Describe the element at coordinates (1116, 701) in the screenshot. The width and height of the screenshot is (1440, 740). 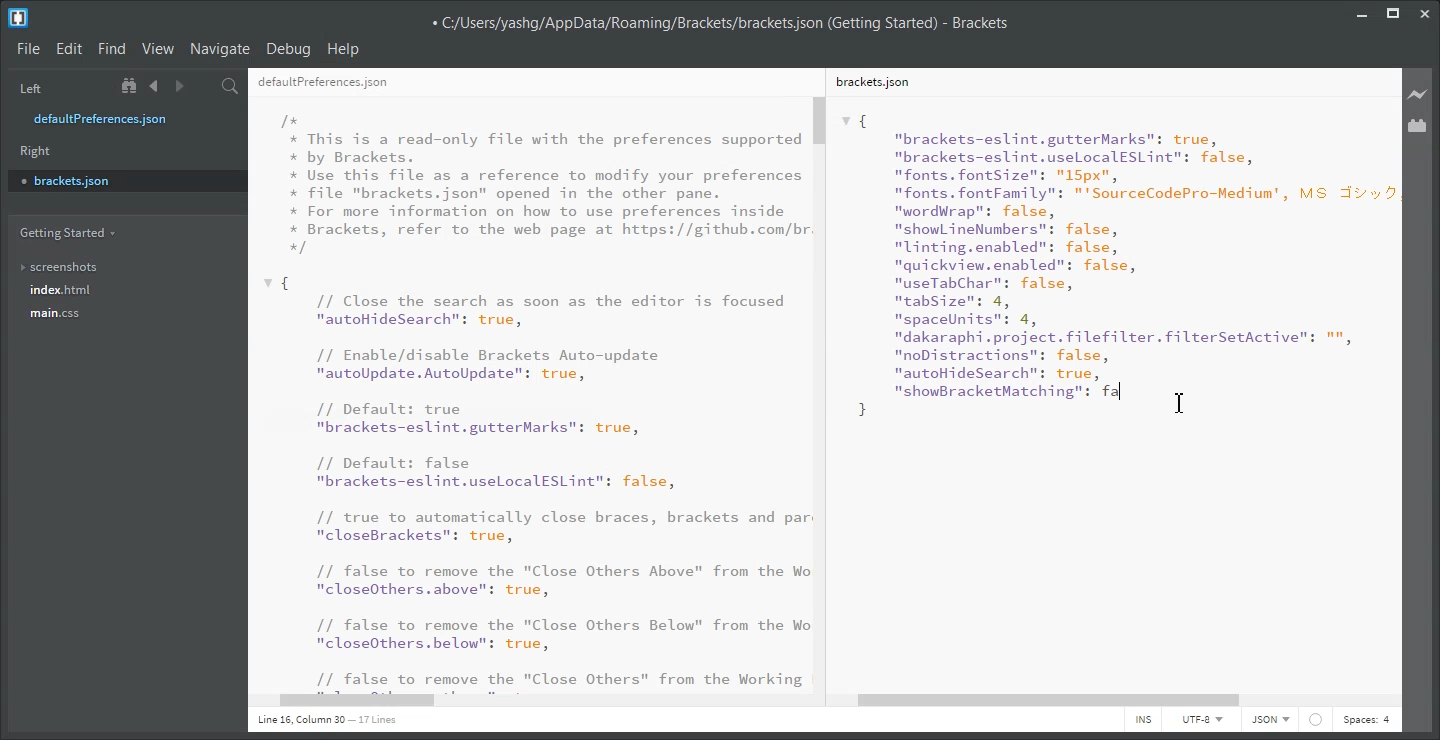
I see `Horizontal Scroll Bar` at that location.